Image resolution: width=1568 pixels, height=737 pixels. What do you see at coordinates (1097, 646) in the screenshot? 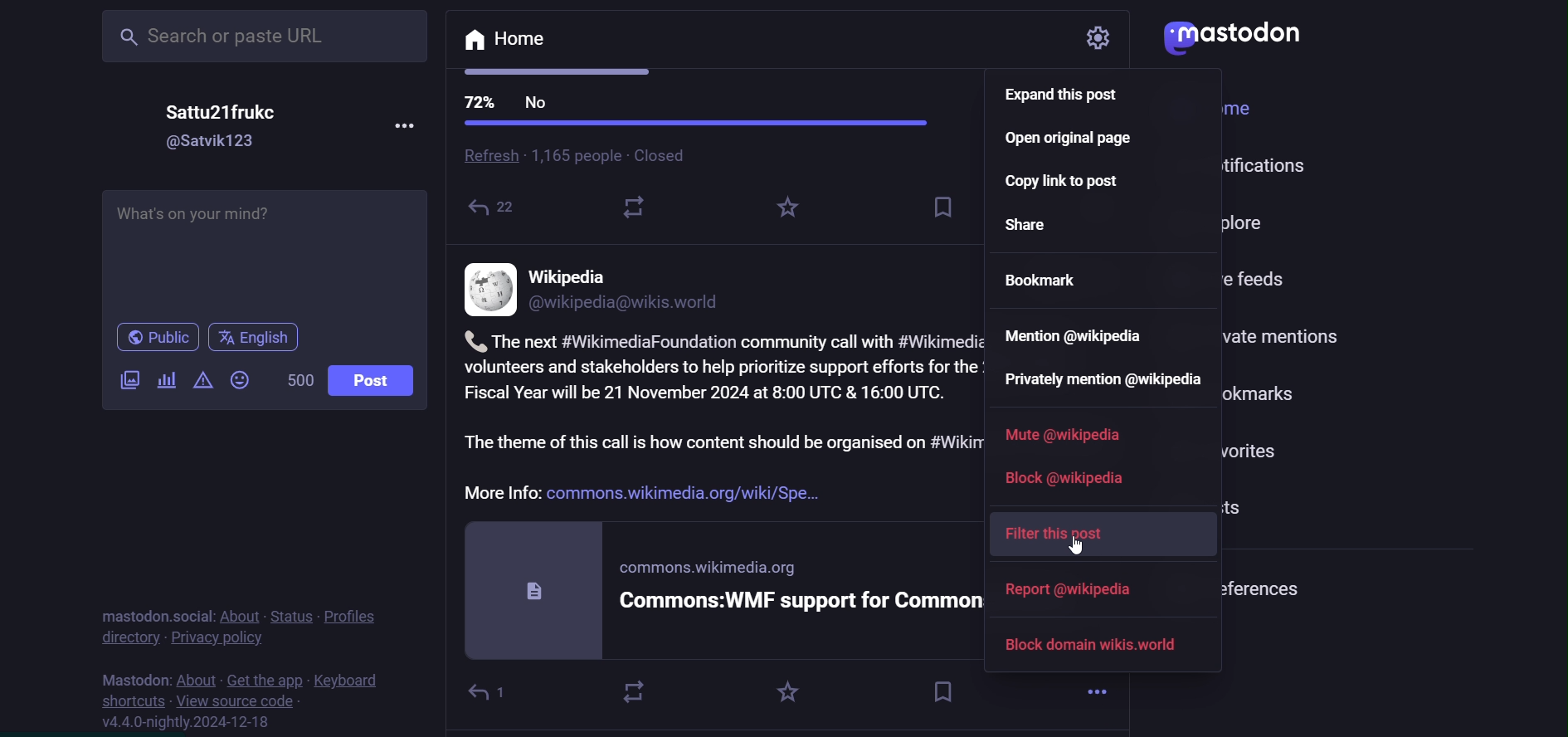
I see `block domain` at bounding box center [1097, 646].